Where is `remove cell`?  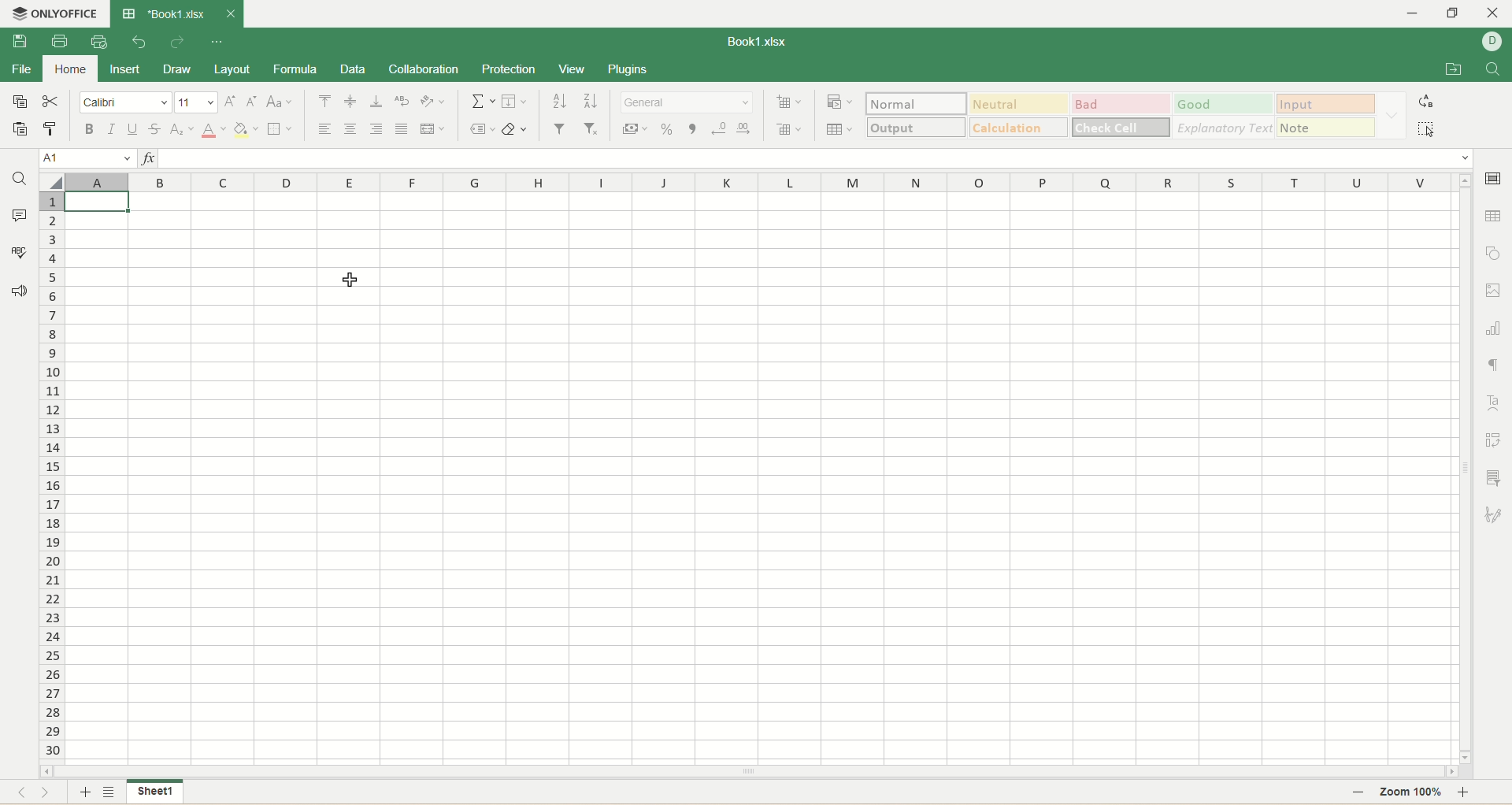 remove cell is located at coordinates (787, 128).